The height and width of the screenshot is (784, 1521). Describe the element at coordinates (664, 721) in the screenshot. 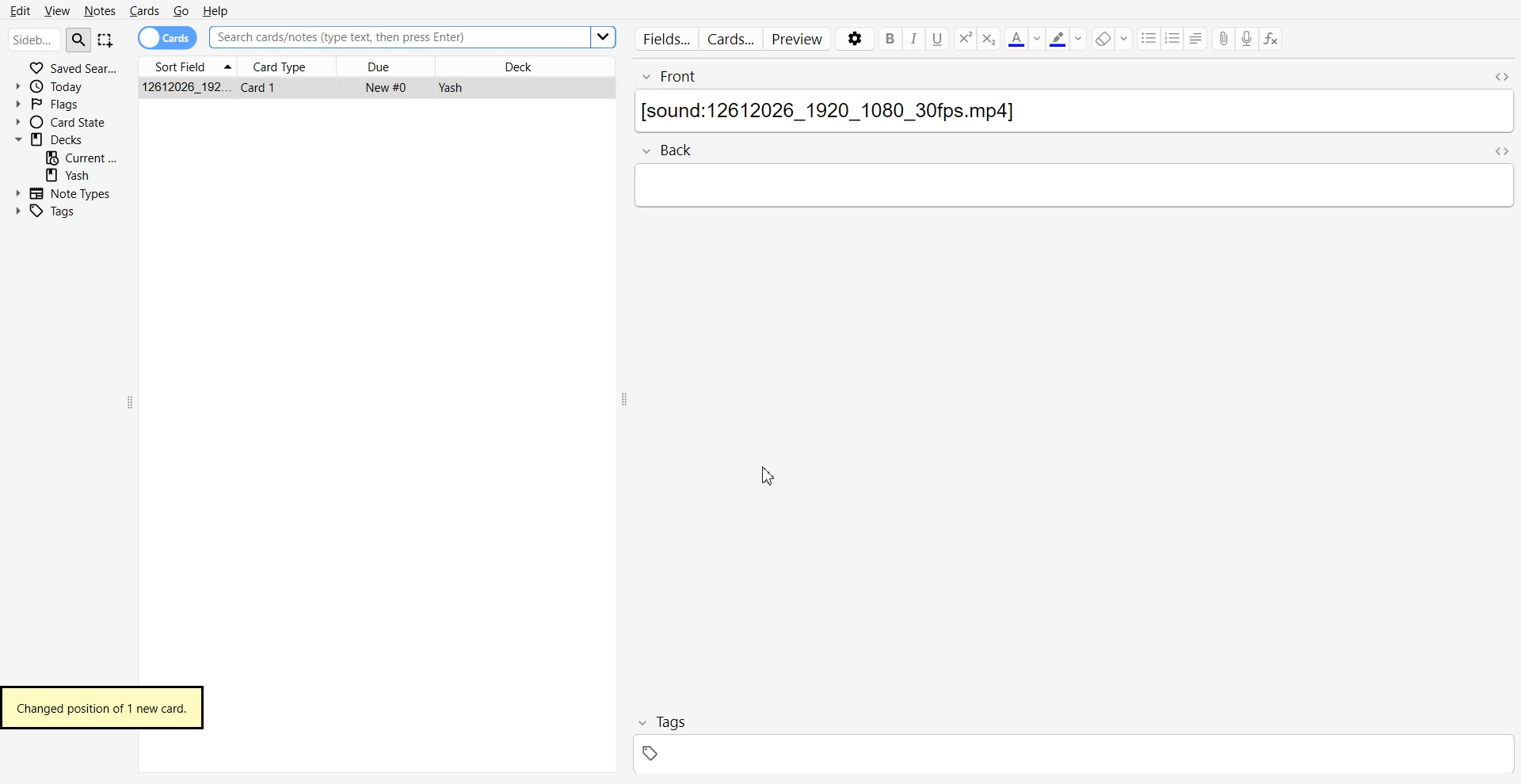

I see `Tag` at that location.